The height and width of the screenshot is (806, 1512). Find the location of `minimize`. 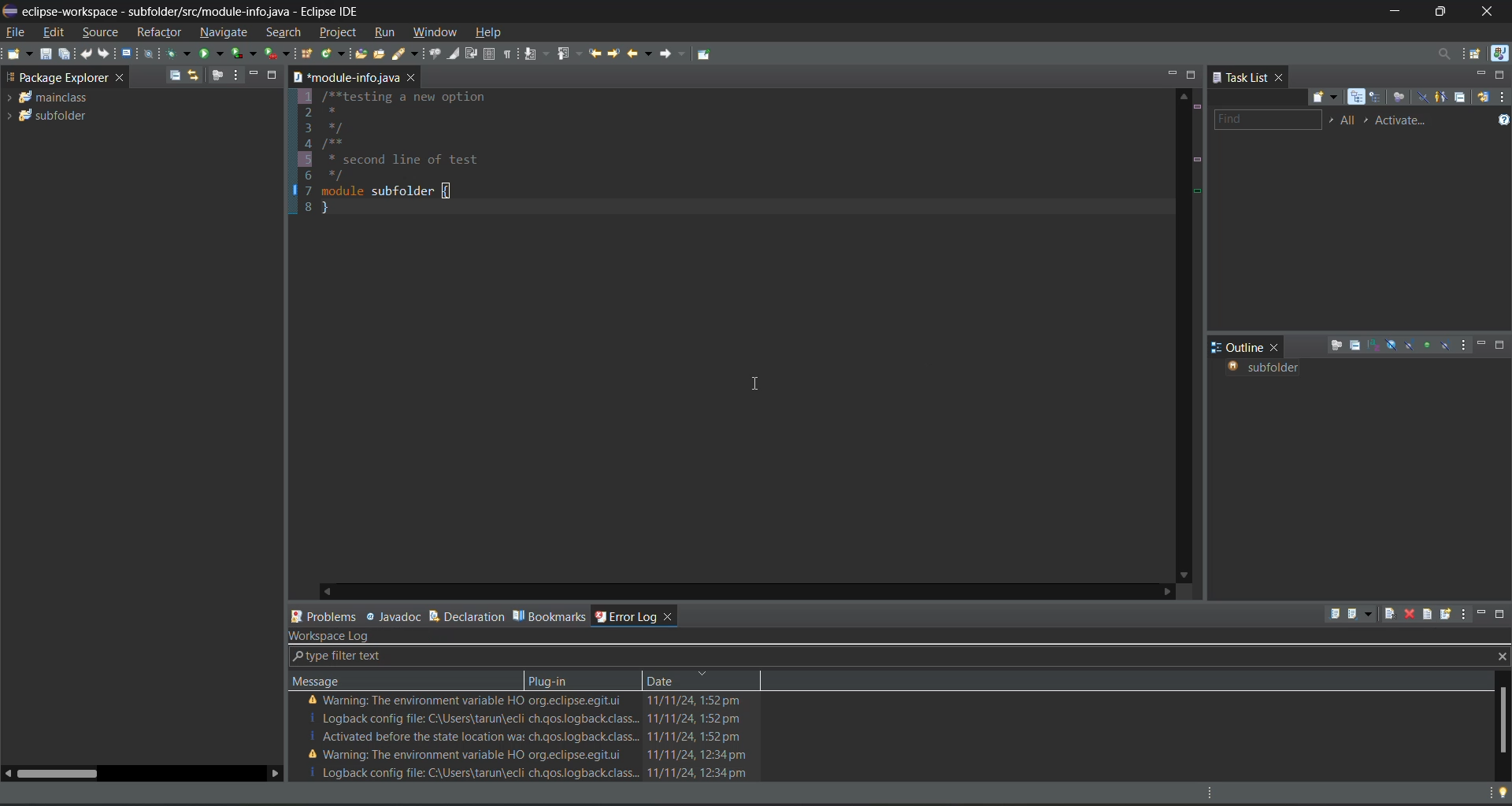

minimize is located at coordinates (1393, 12).